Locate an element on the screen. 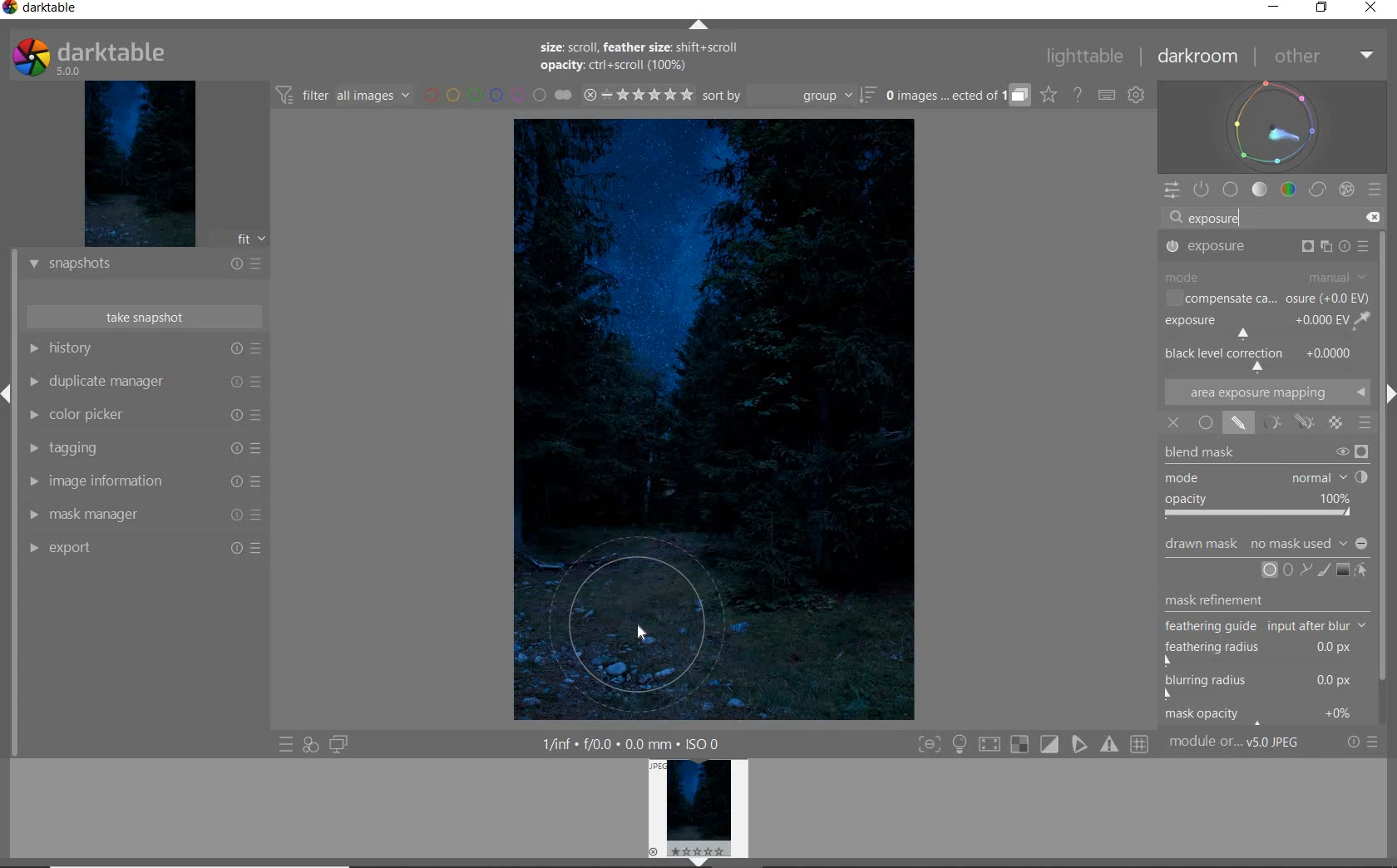 The image size is (1397, 868). size: scroll, feather size: shift+scroll
opacity: ctrl+scroll (100%) is located at coordinates (639, 60).